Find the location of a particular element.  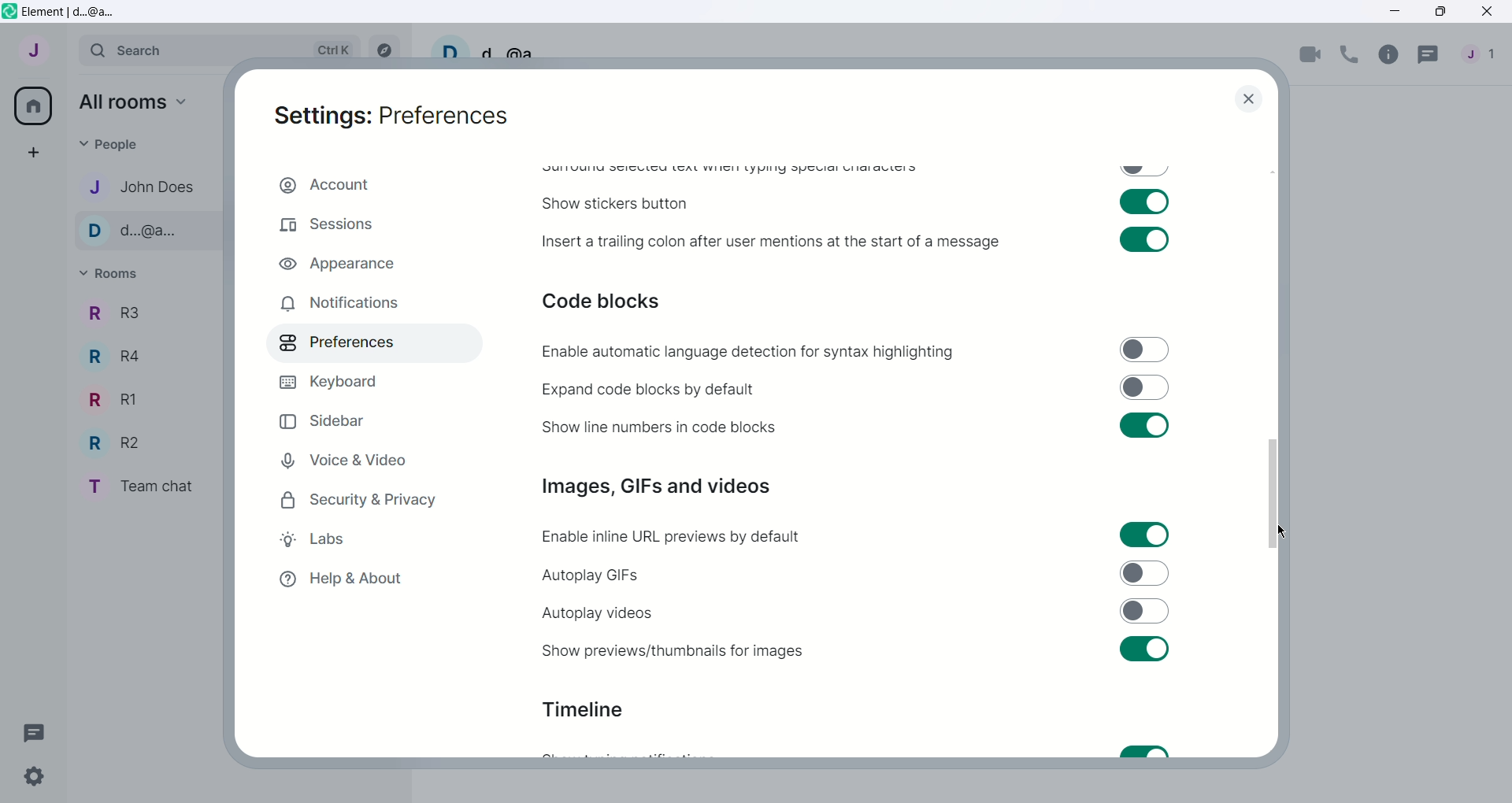

Enable automatic language detection for syntax highlighting is located at coordinates (748, 351).